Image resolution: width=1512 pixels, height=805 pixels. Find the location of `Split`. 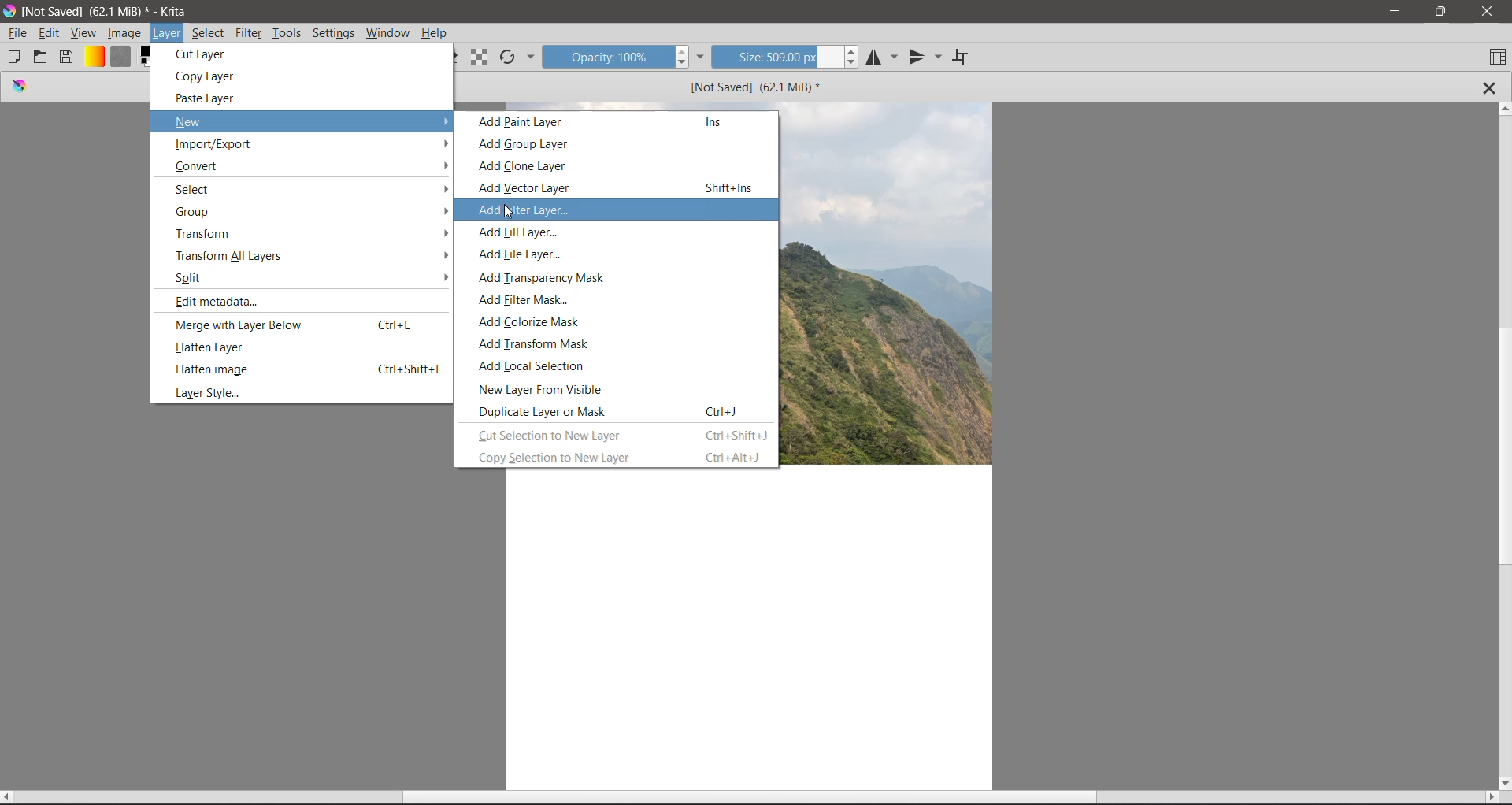

Split is located at coordinates (309, 276).